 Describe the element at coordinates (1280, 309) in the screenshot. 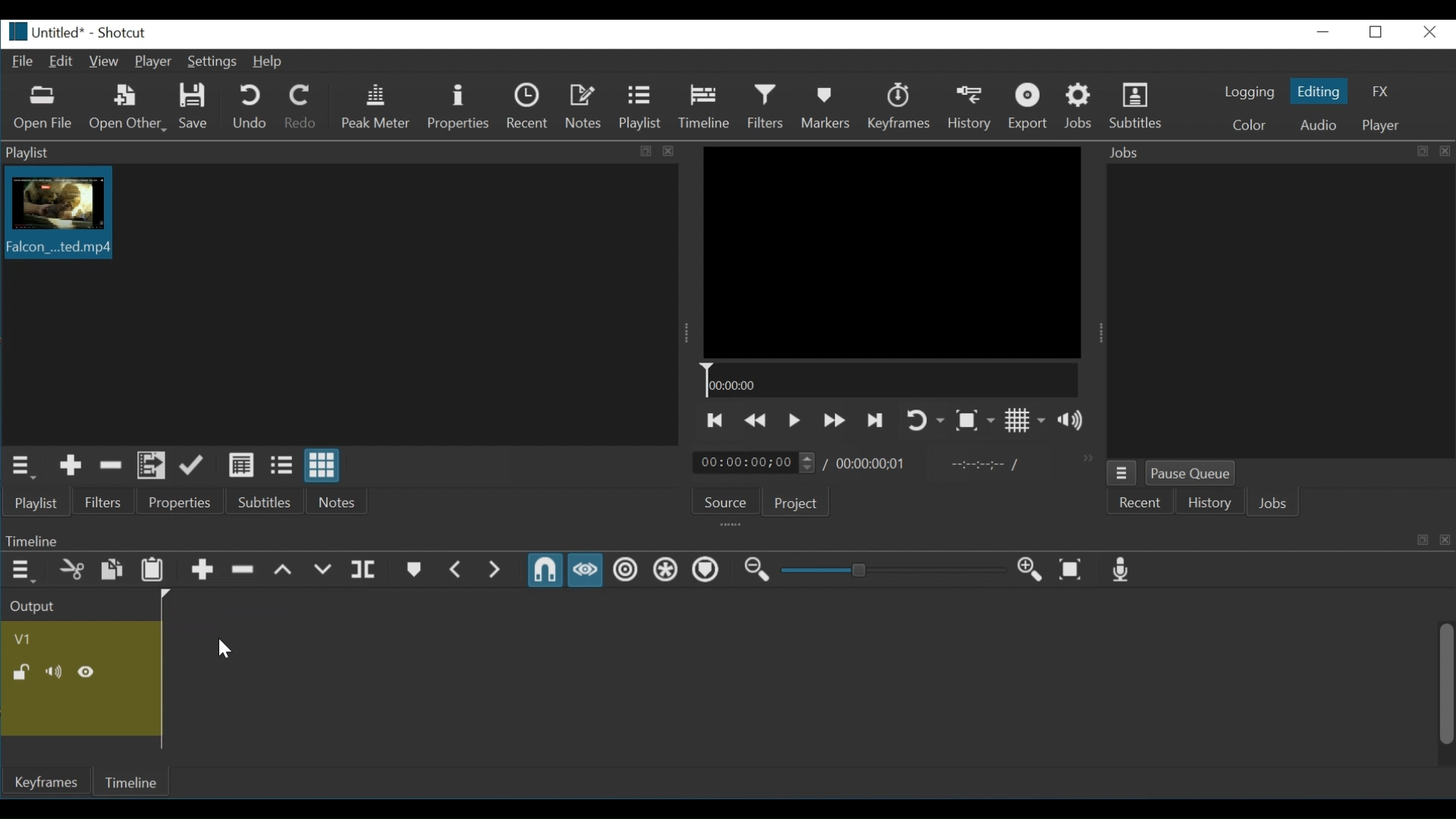

I see `jobs panel` at that location.